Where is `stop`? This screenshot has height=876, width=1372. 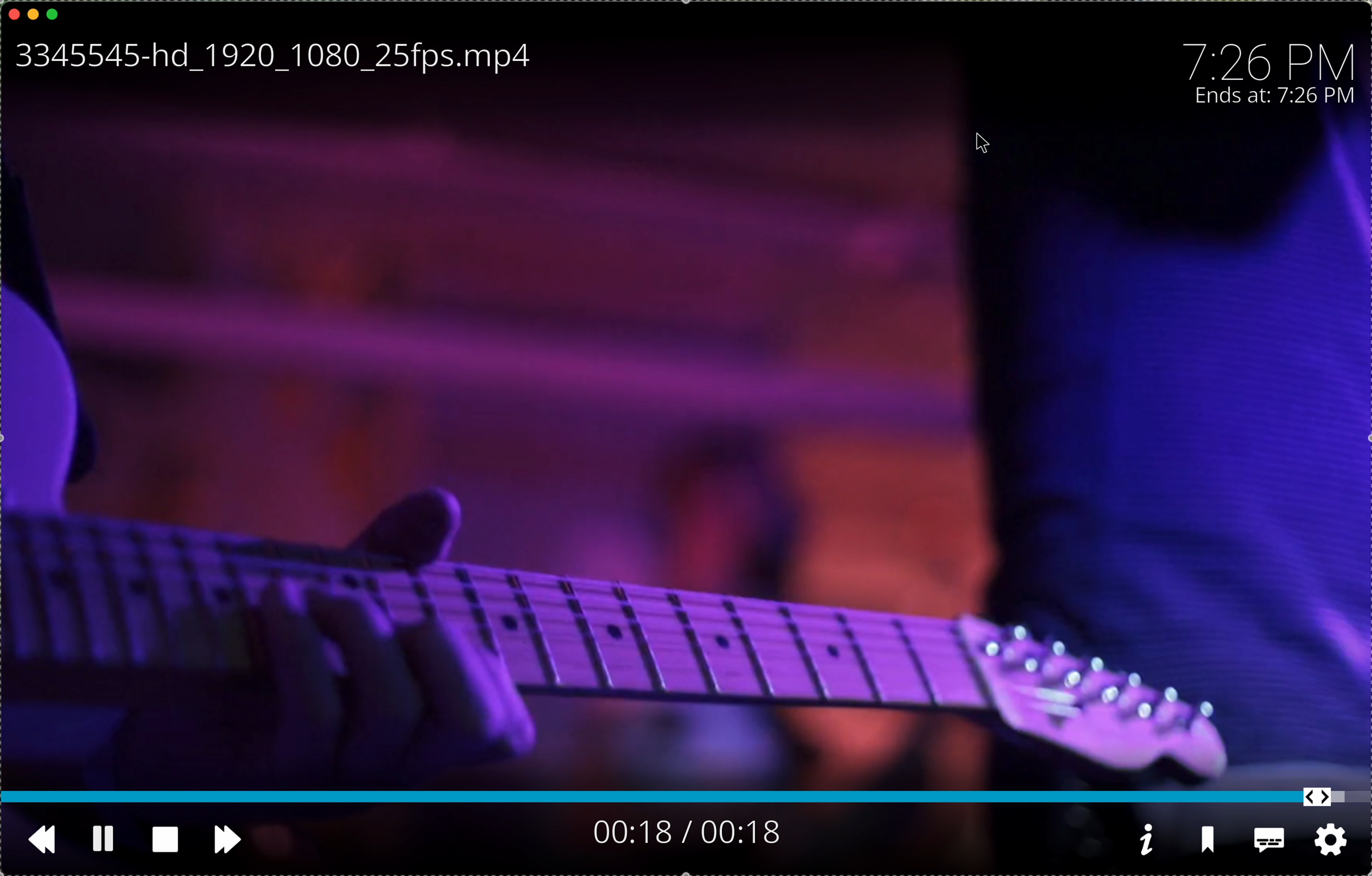 stop is located at coordinates (165, 838).